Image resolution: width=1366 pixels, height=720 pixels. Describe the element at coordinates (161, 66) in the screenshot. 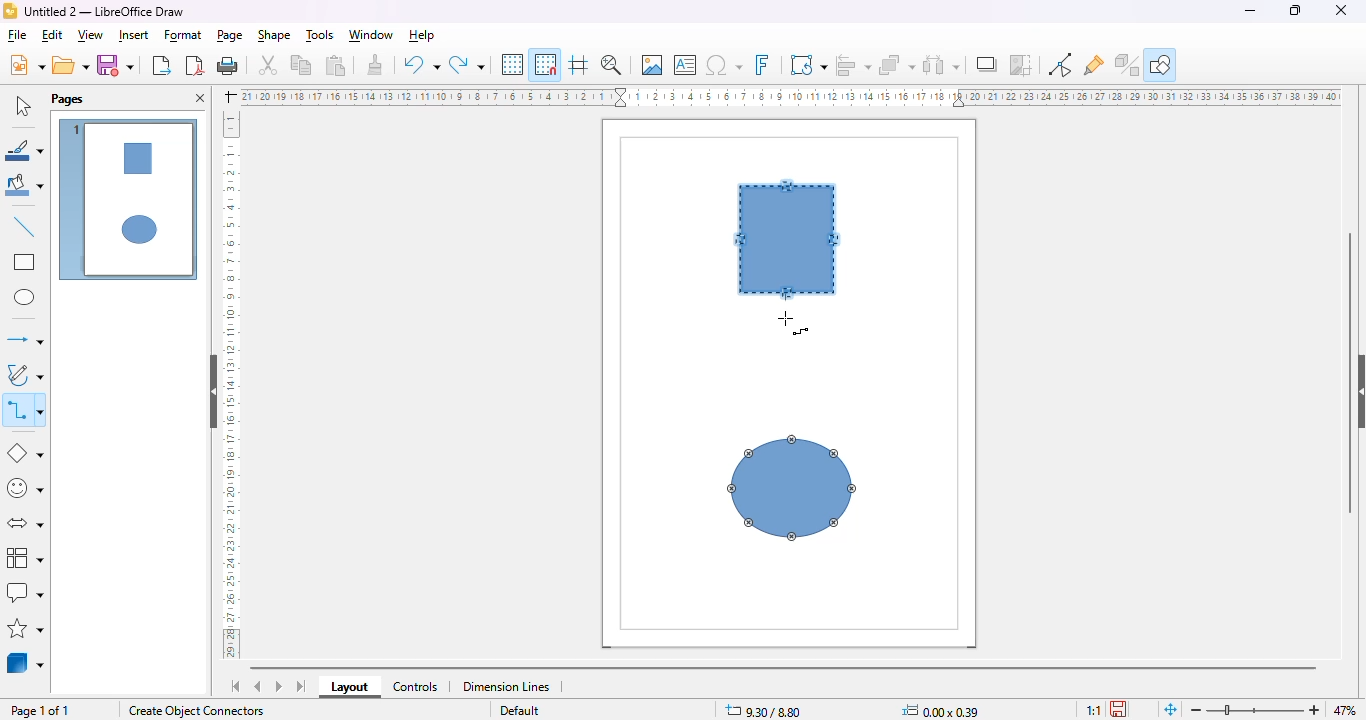

I see `export` at that location.